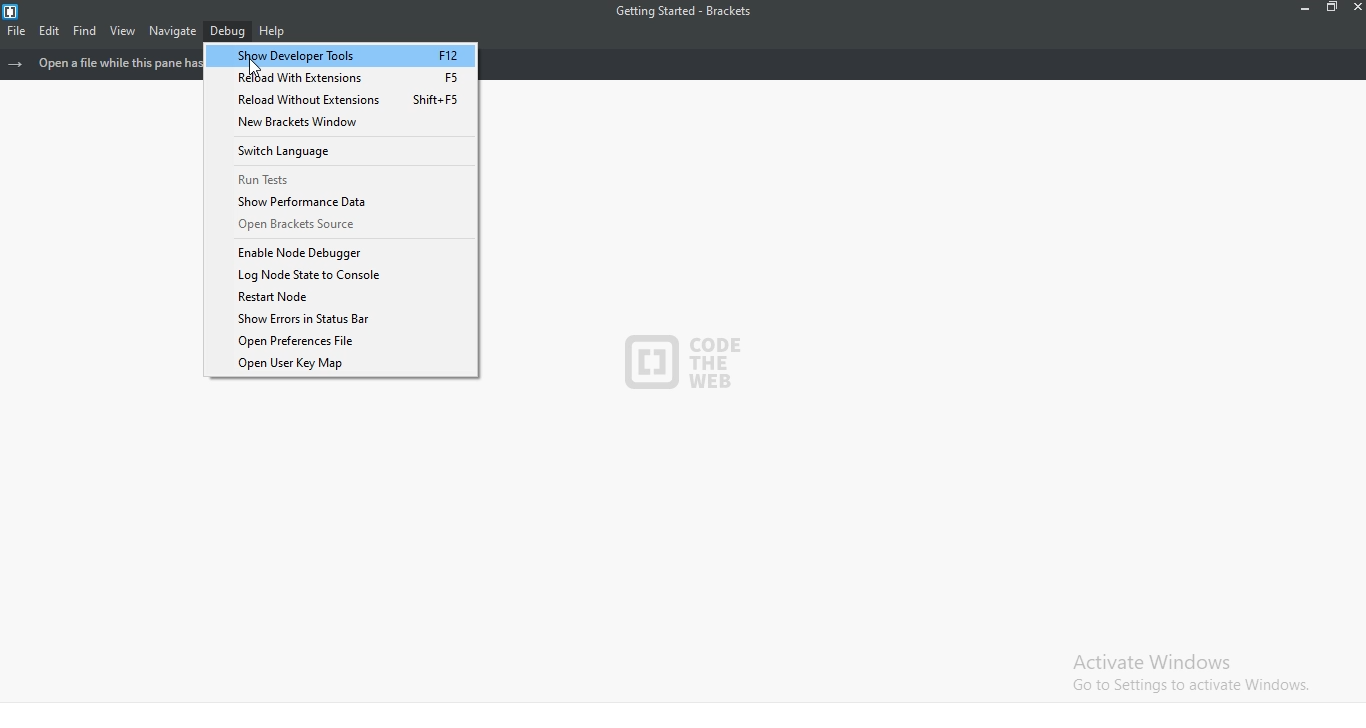 The image size is (1366, 728). I want to click on Log Node state to console, so click(341, 274).